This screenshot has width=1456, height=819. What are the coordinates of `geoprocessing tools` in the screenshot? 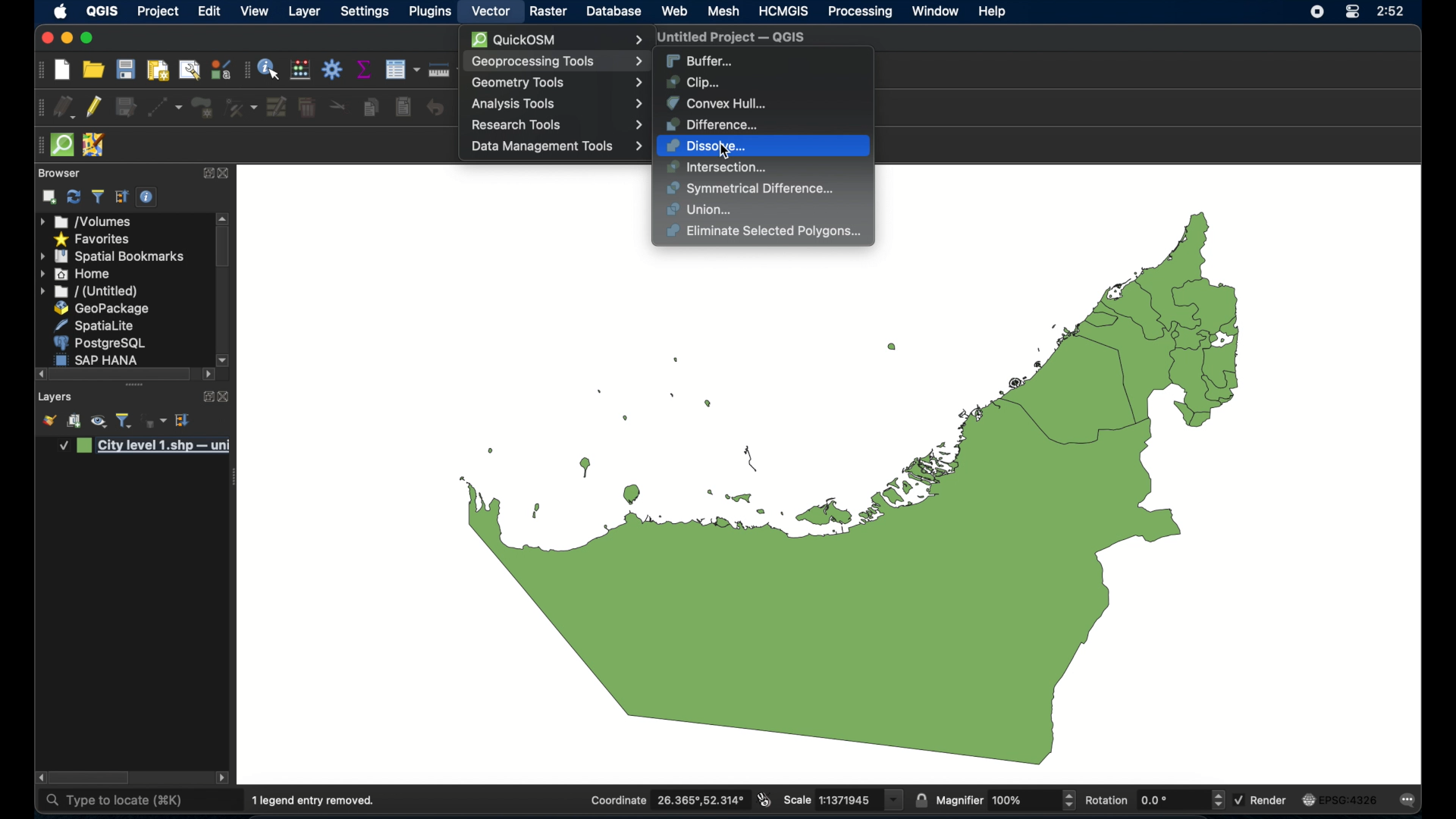 It's located at (554, 61).